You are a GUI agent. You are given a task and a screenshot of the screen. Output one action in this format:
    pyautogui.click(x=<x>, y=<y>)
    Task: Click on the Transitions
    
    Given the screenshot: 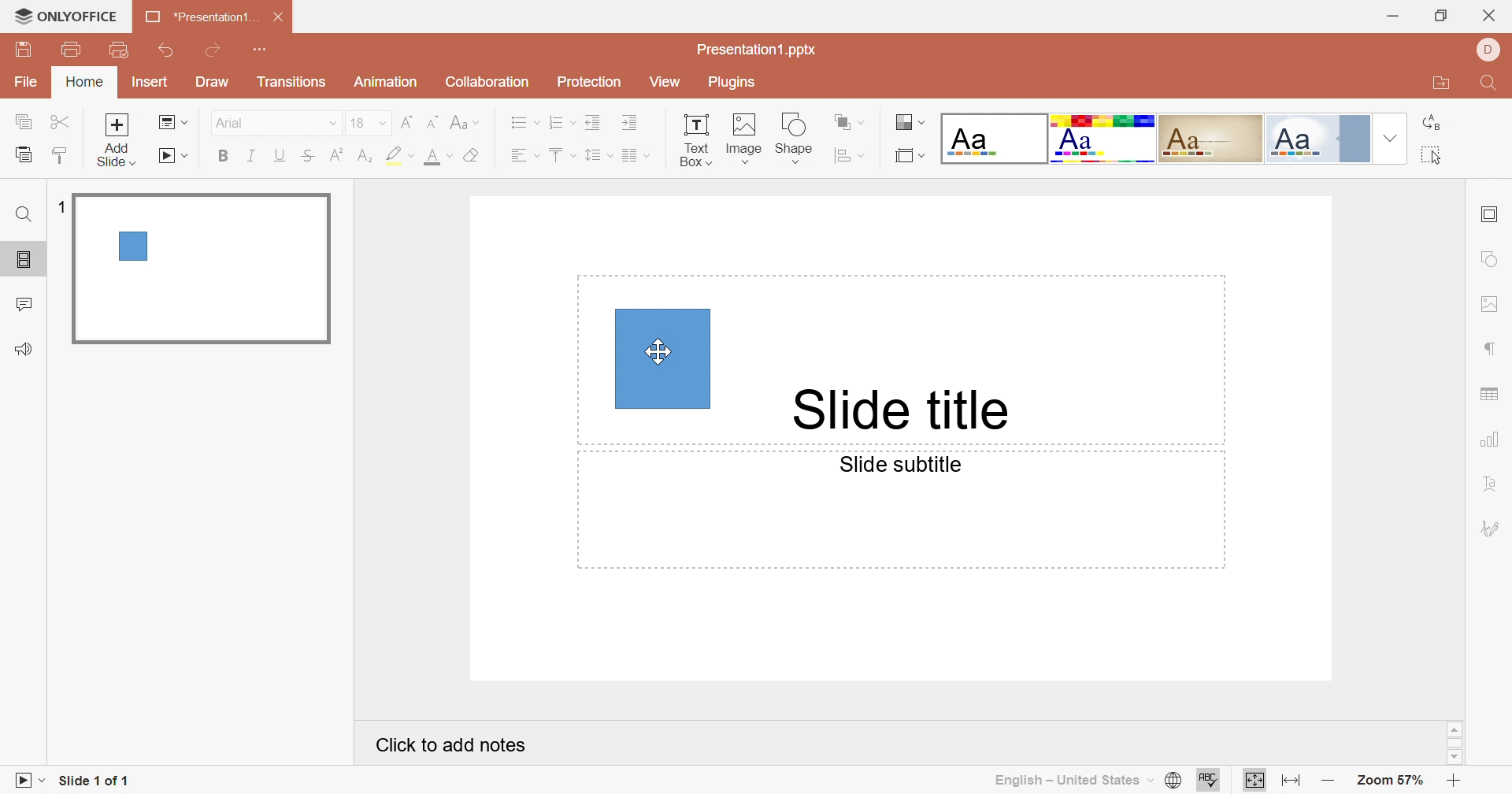 What is the action you would take?
    pyautogui.click(x=295, y=84)
    